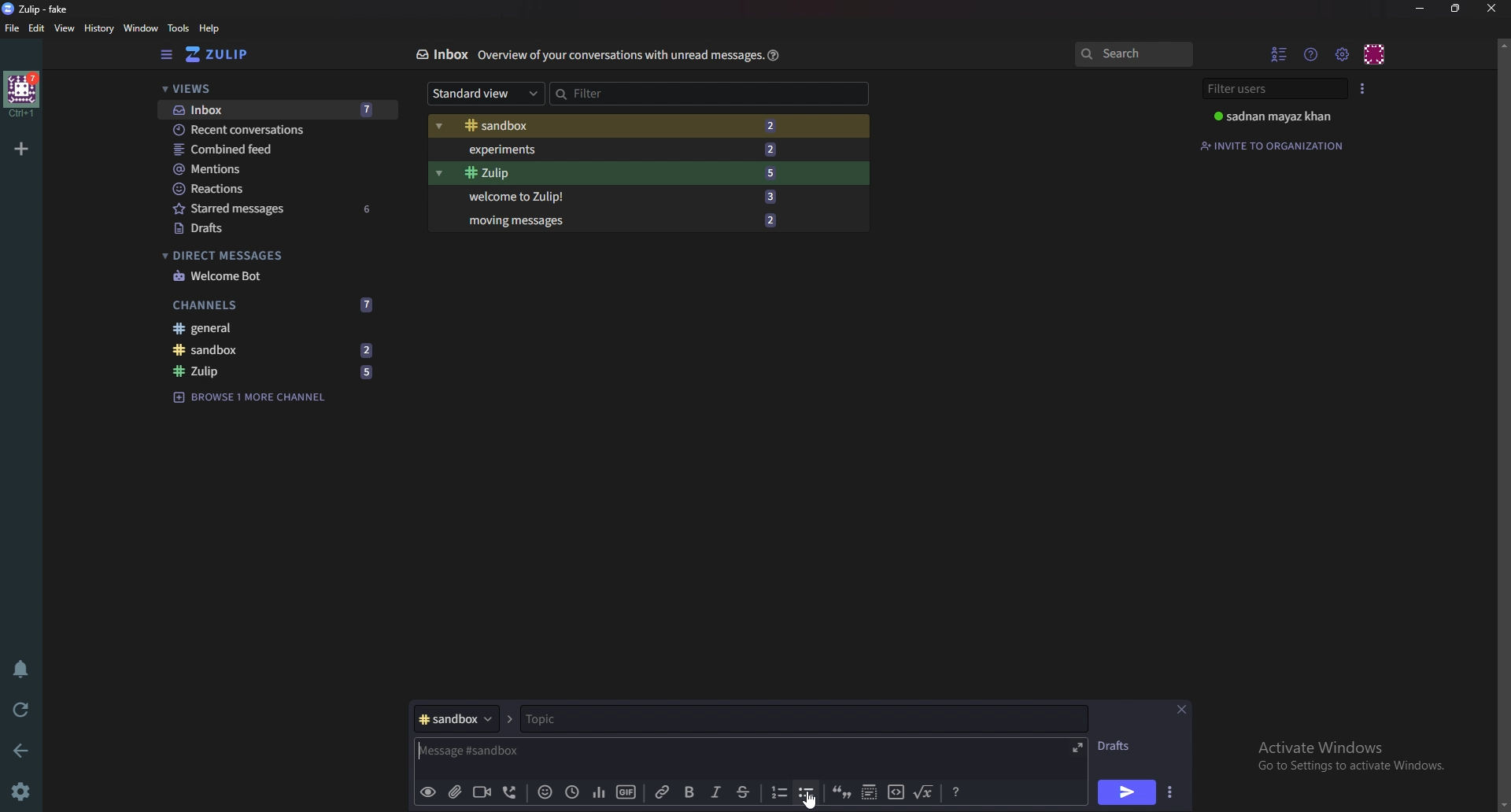  I want to click on Standard view, so click(486, 92).